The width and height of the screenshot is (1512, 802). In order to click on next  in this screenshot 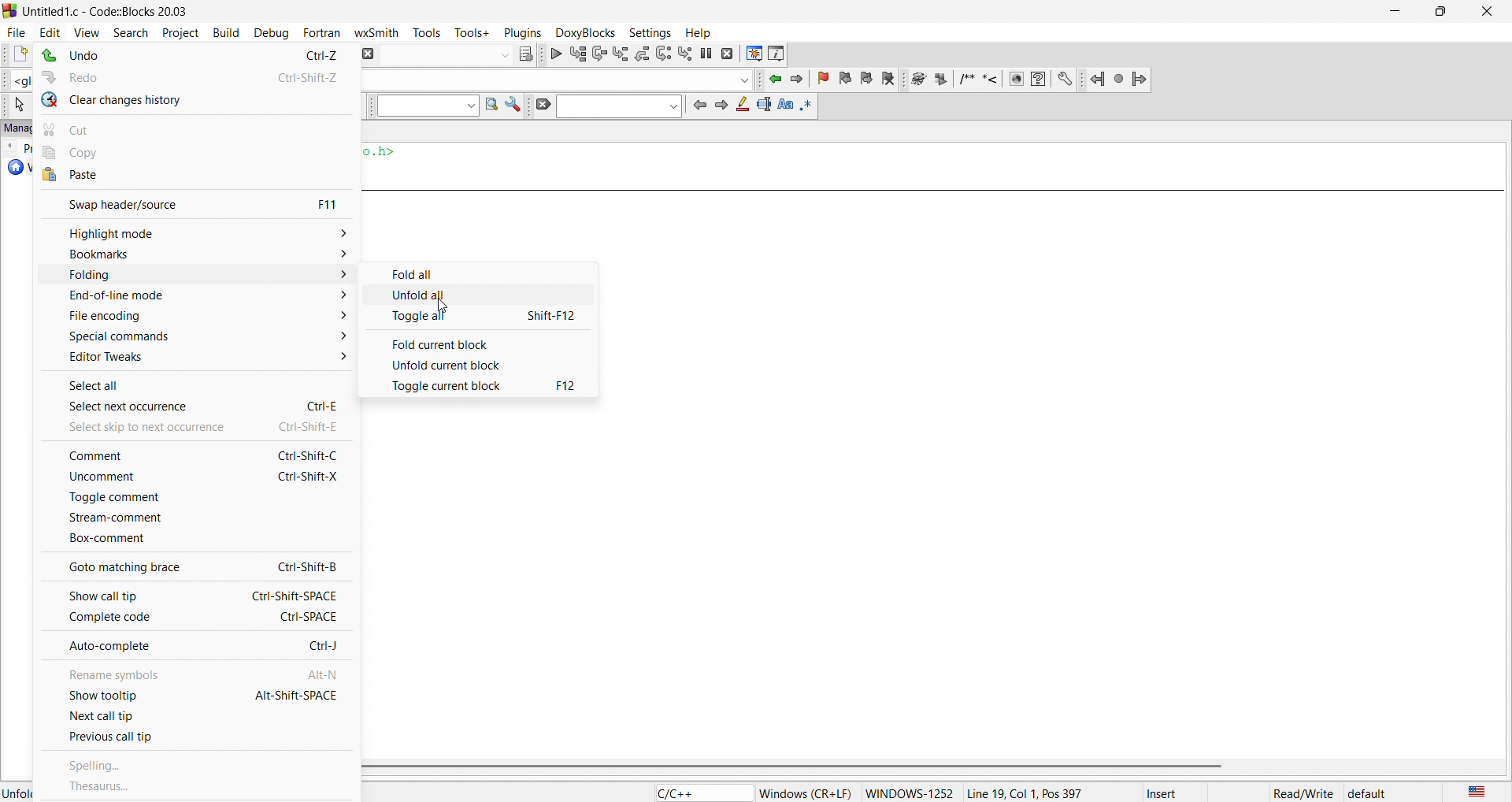, I will do `click(720, 104)`.